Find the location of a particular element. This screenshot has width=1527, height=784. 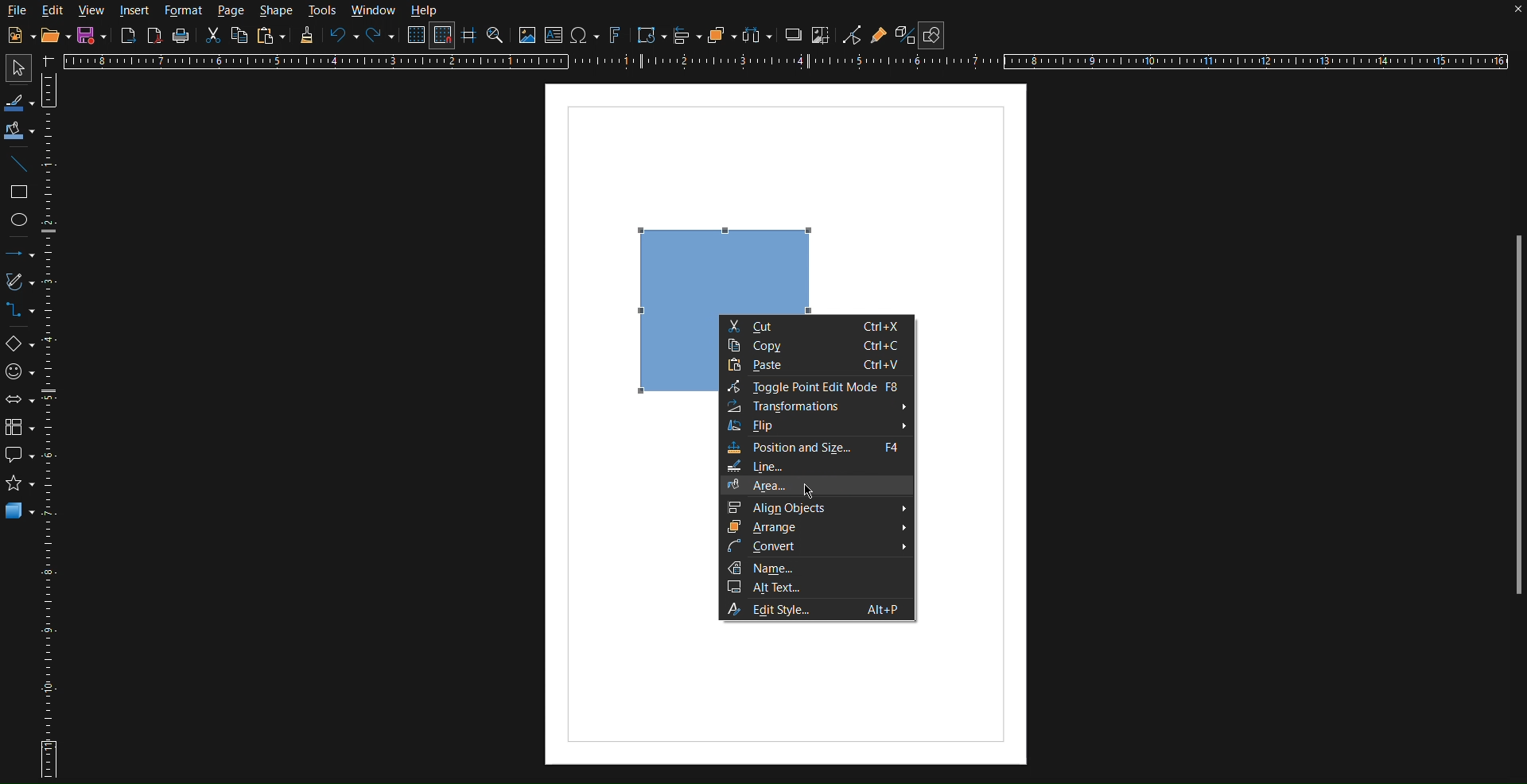

Print is located at coordinates (181, 38).